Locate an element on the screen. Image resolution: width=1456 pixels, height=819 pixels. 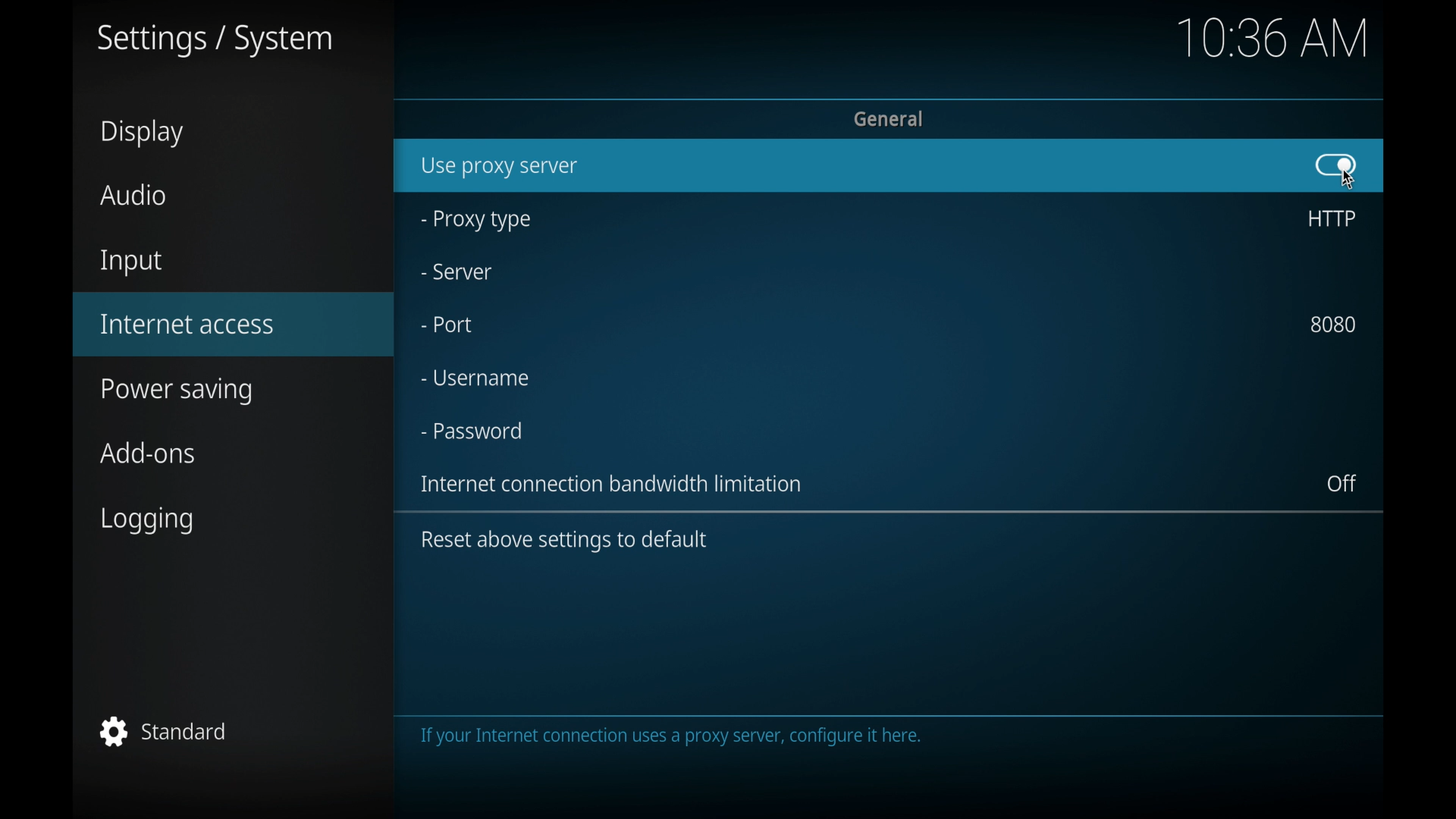
off is located at coordinates (1342, 484).